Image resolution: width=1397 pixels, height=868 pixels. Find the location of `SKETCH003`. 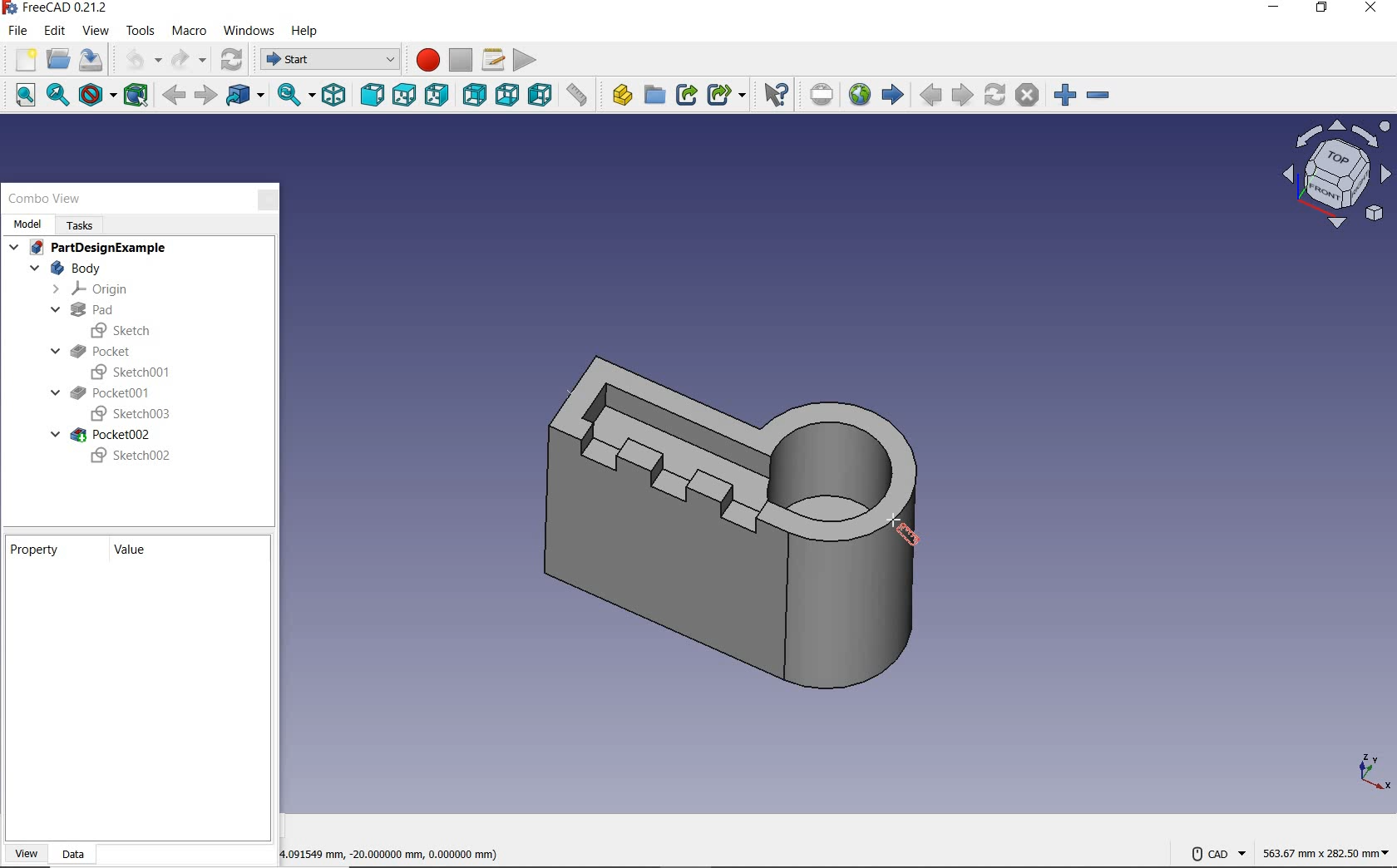

SKETCH003 is located at coordinates (128, 415).